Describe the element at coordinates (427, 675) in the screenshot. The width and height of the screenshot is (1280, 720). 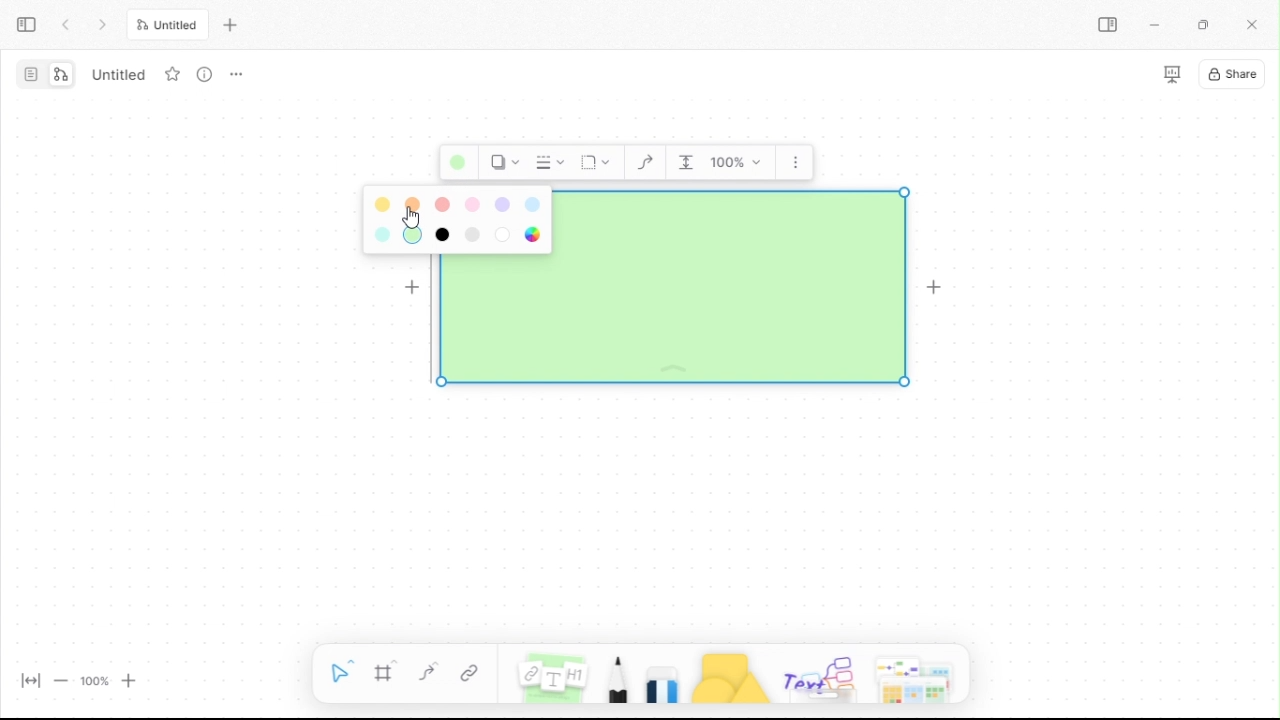
I see `curve` at that location.